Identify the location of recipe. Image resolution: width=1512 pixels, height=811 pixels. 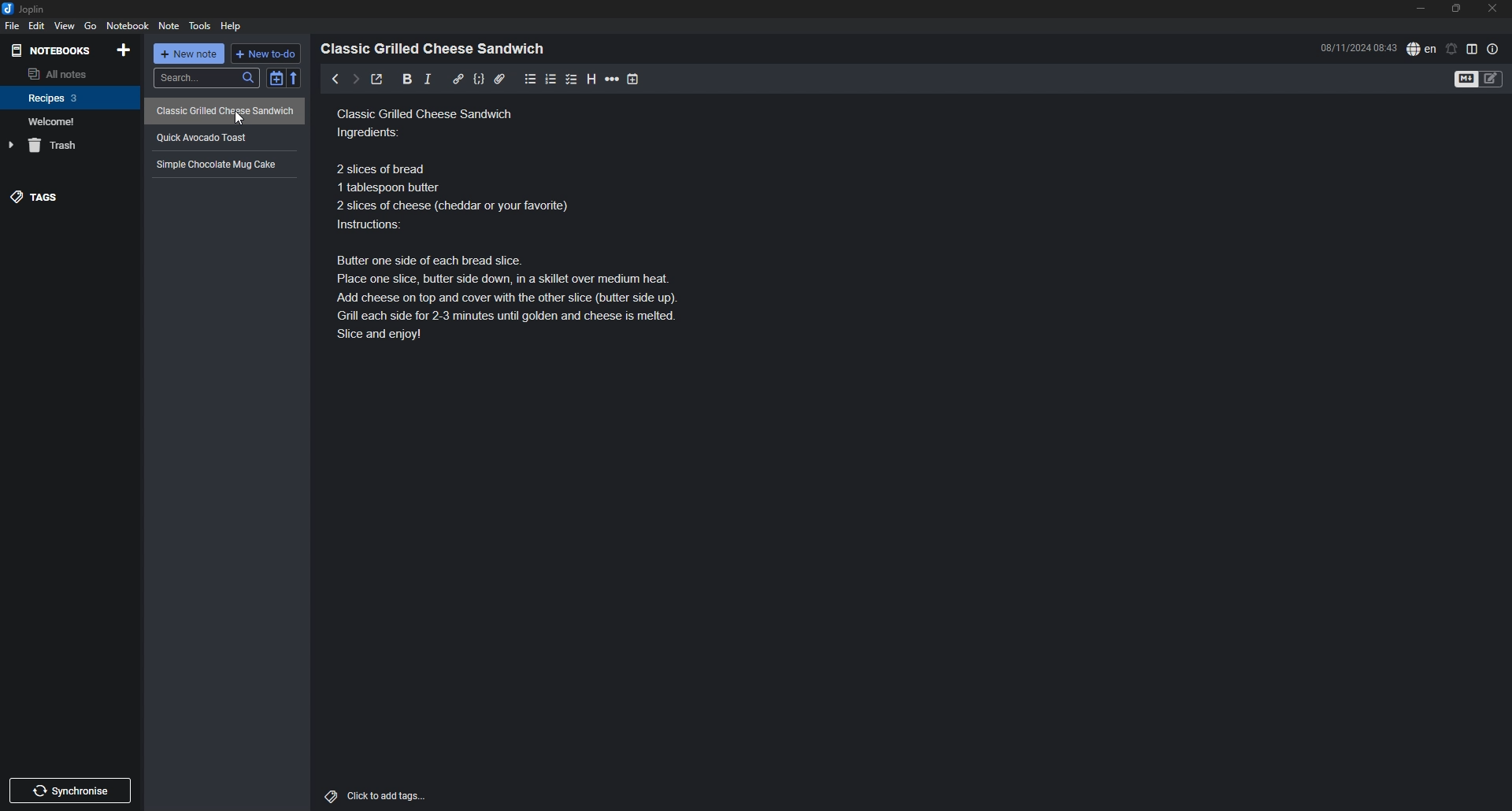
(224, 112).